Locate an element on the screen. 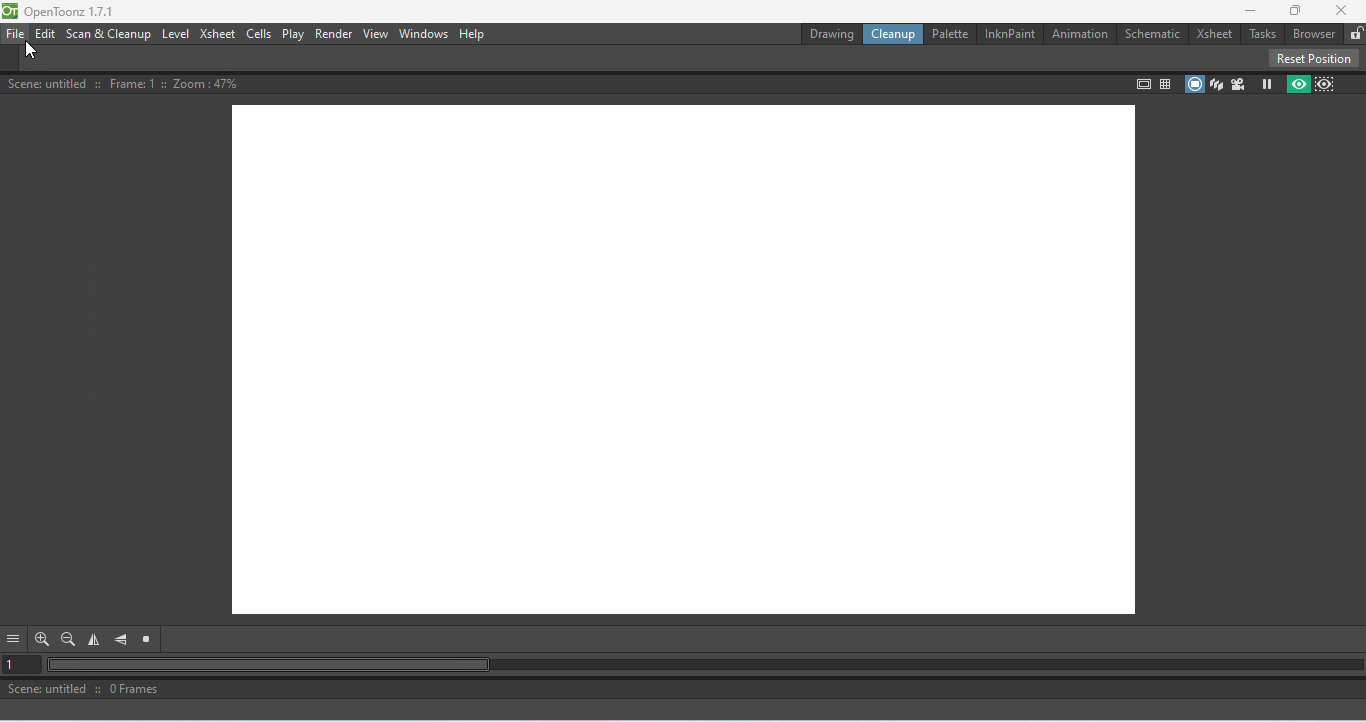 The width and height of the screenshot is (1366, 722). Broswer is located at coordinates (1315, 33).